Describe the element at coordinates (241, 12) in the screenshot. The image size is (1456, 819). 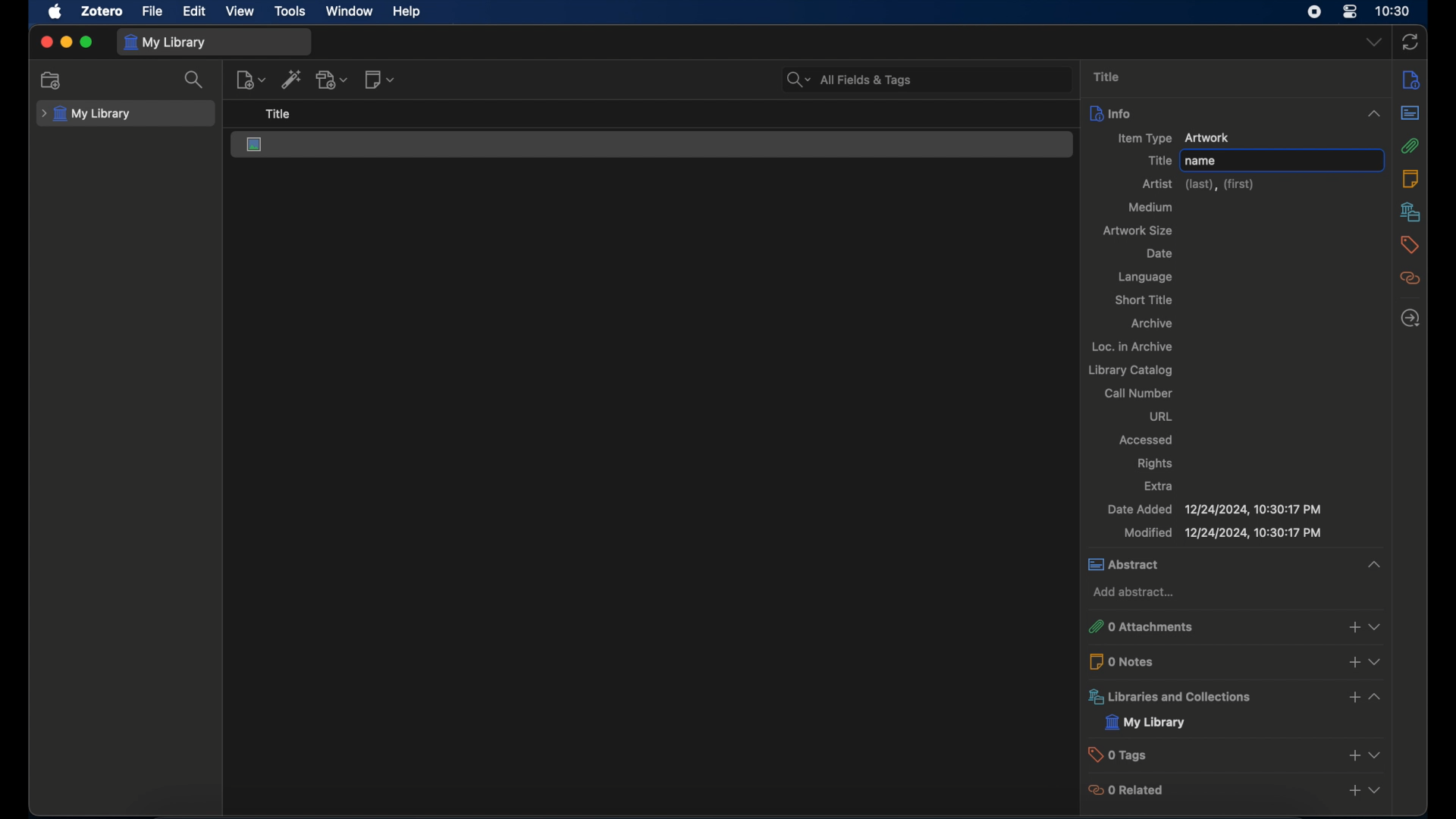
I see `view` at that location.